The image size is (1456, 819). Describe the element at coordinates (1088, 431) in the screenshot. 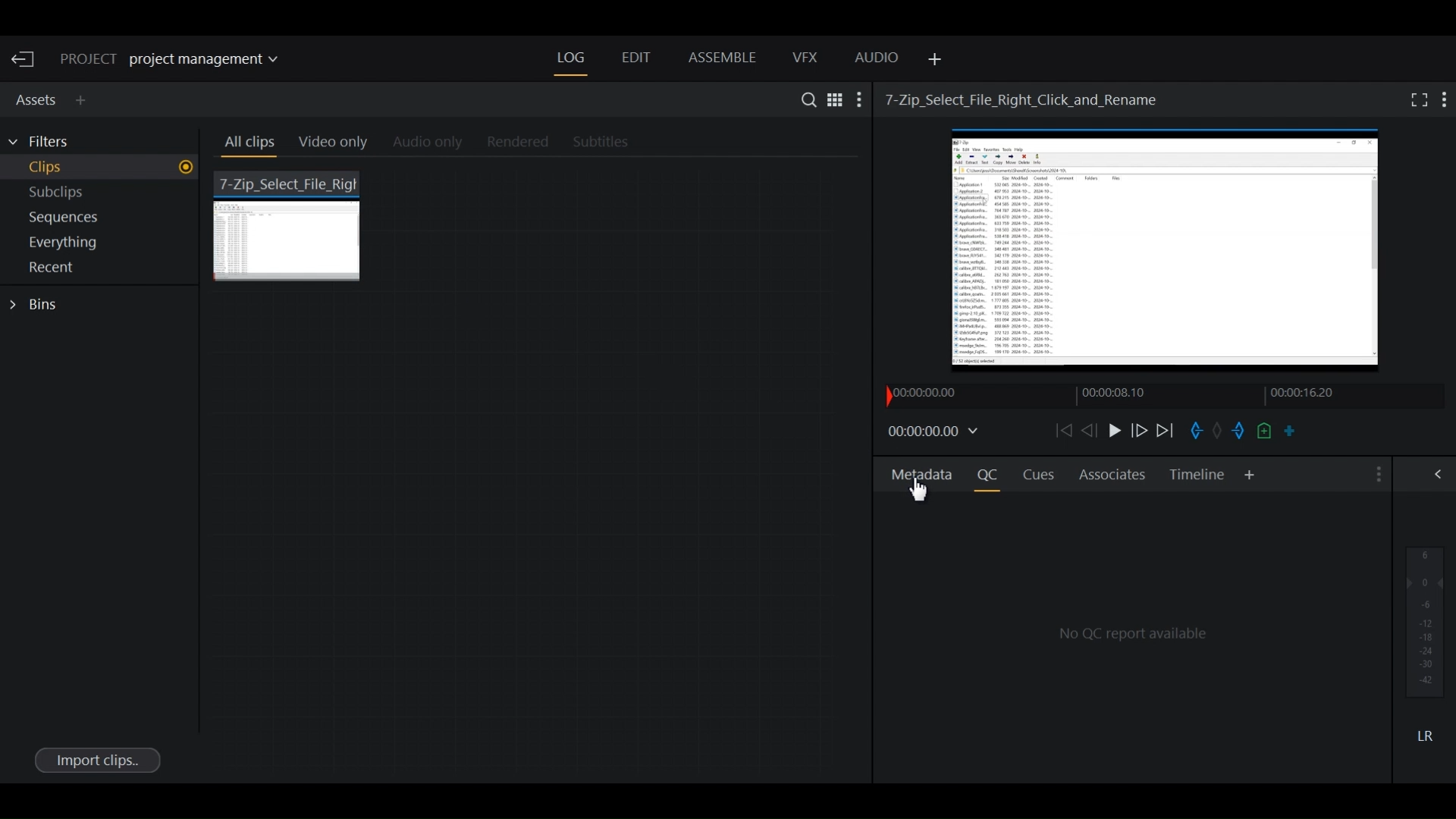

I see `Nudge one frame backward` at that location.